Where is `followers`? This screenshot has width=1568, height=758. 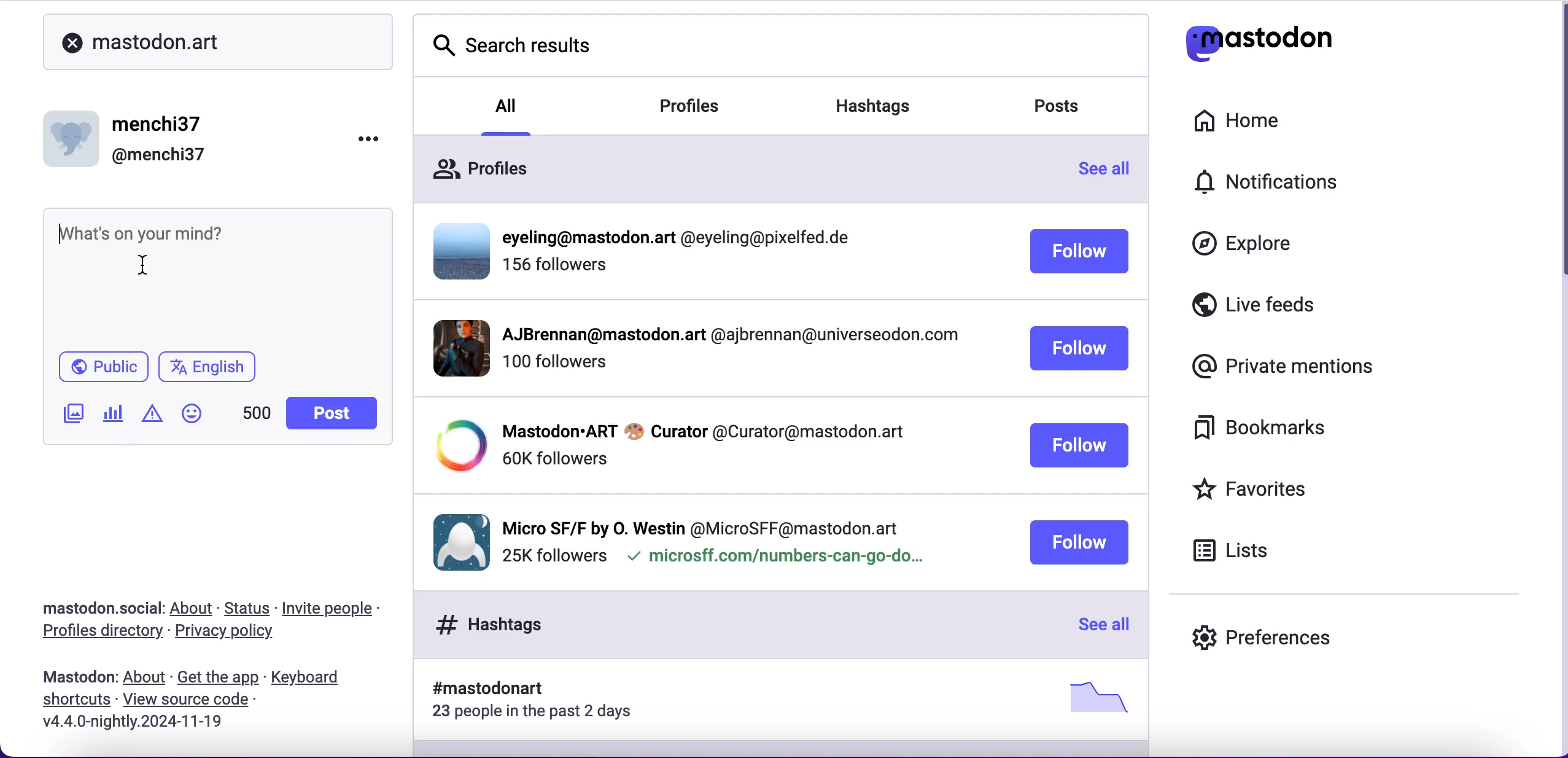
followers is located at coordinates (557, 270).